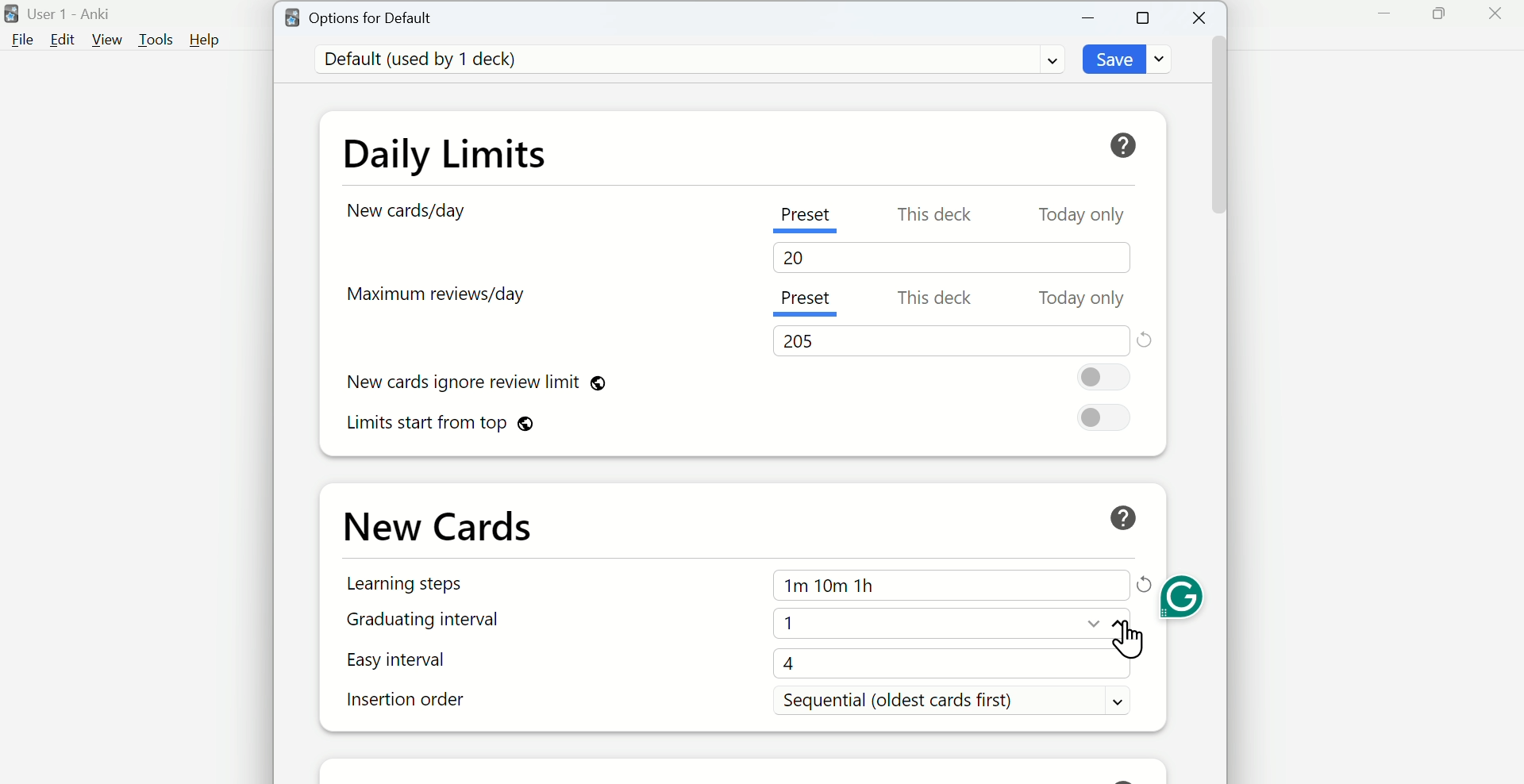 Image resolution: width=1524 pixels, height=784 pixels. Describe the element at coordinates (953, 702) in the screenshot. I see `Sequential (oldest cards first)` at that location.